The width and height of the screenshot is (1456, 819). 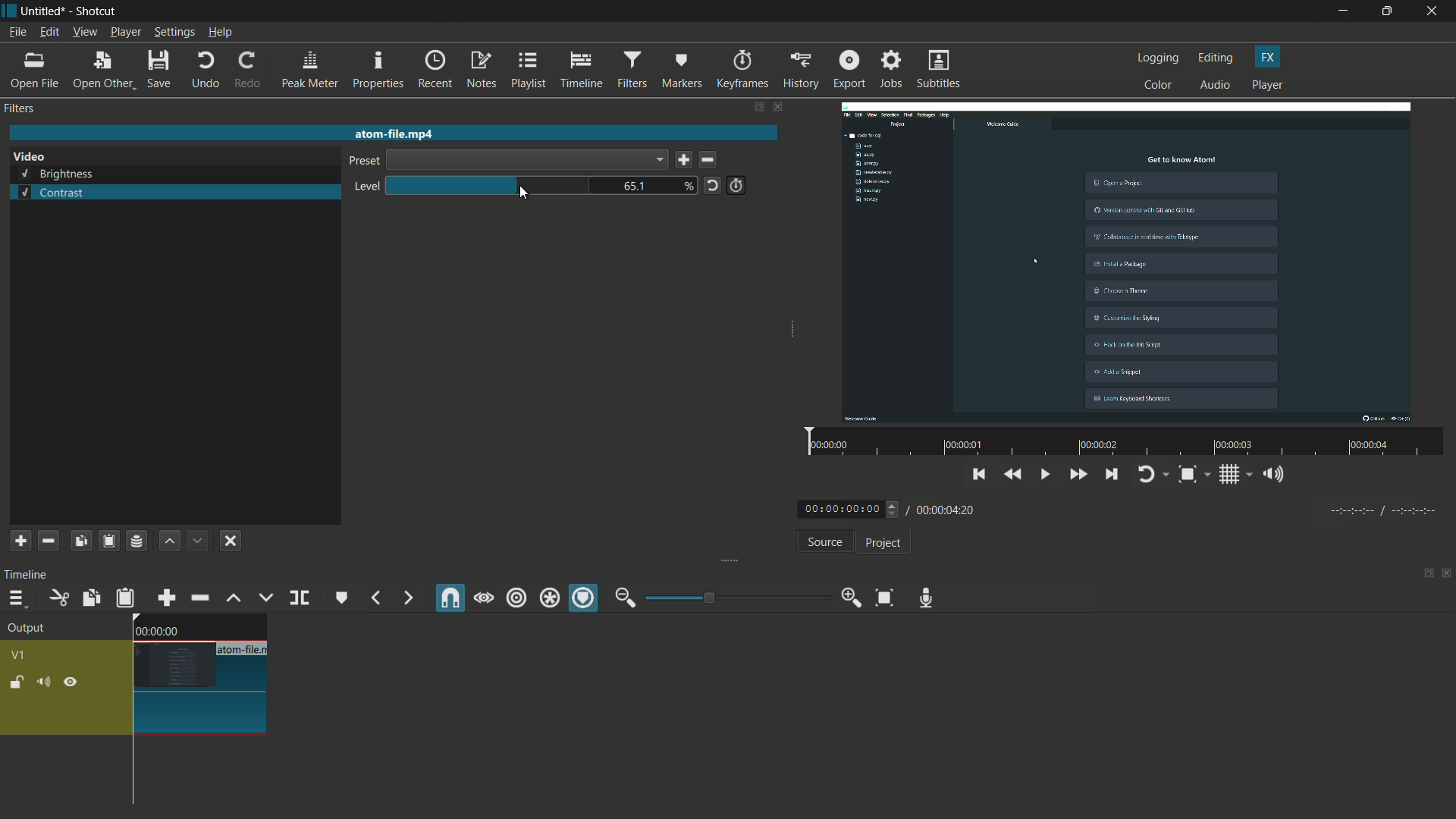 What do you see at coordinates (848, 69) in the screenshot?
I see `export` at bounding box center [848, 69].